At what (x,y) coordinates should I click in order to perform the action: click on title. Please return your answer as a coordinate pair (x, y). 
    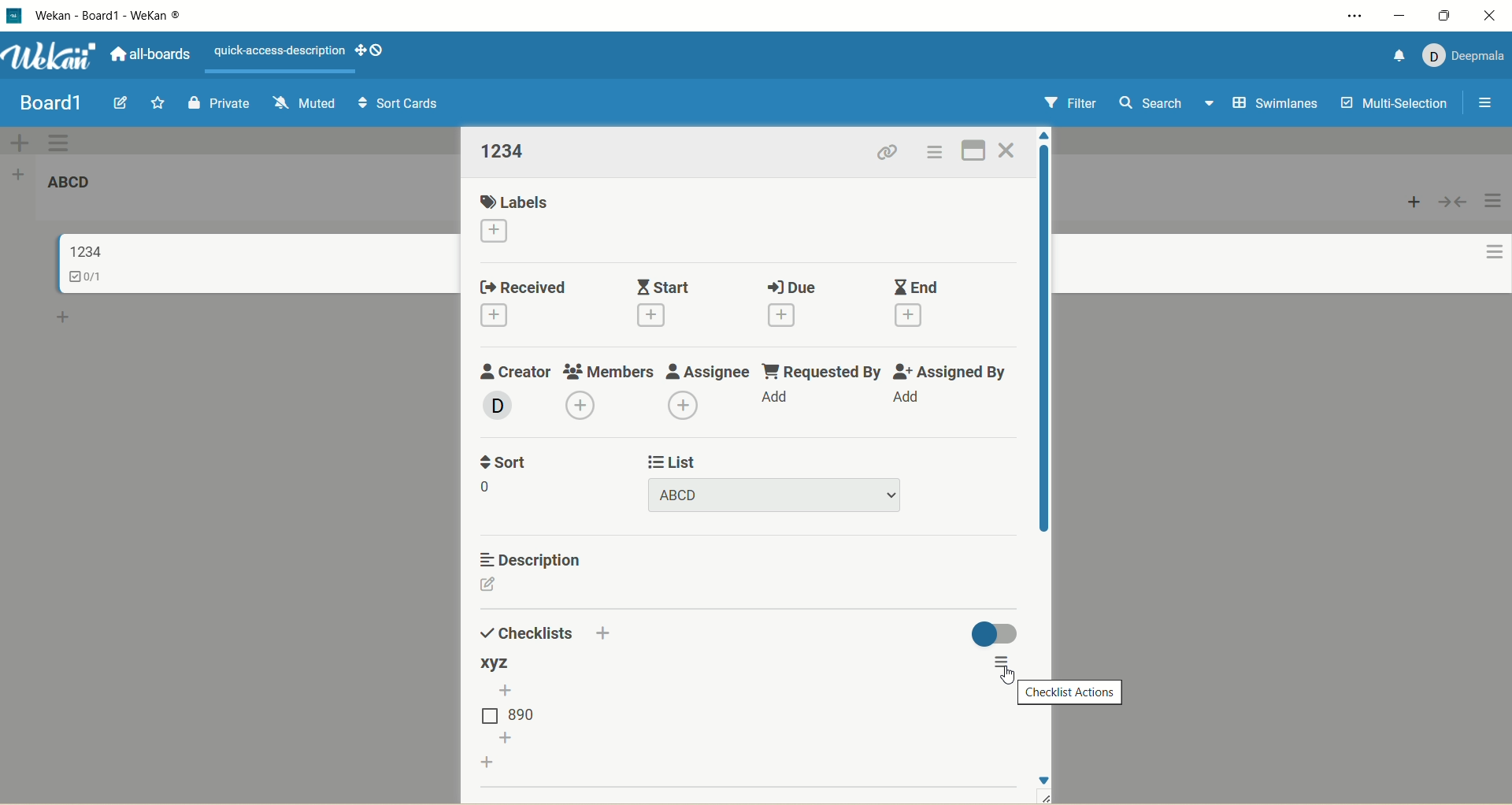
    Looking at the image, I should click on (124, 15).